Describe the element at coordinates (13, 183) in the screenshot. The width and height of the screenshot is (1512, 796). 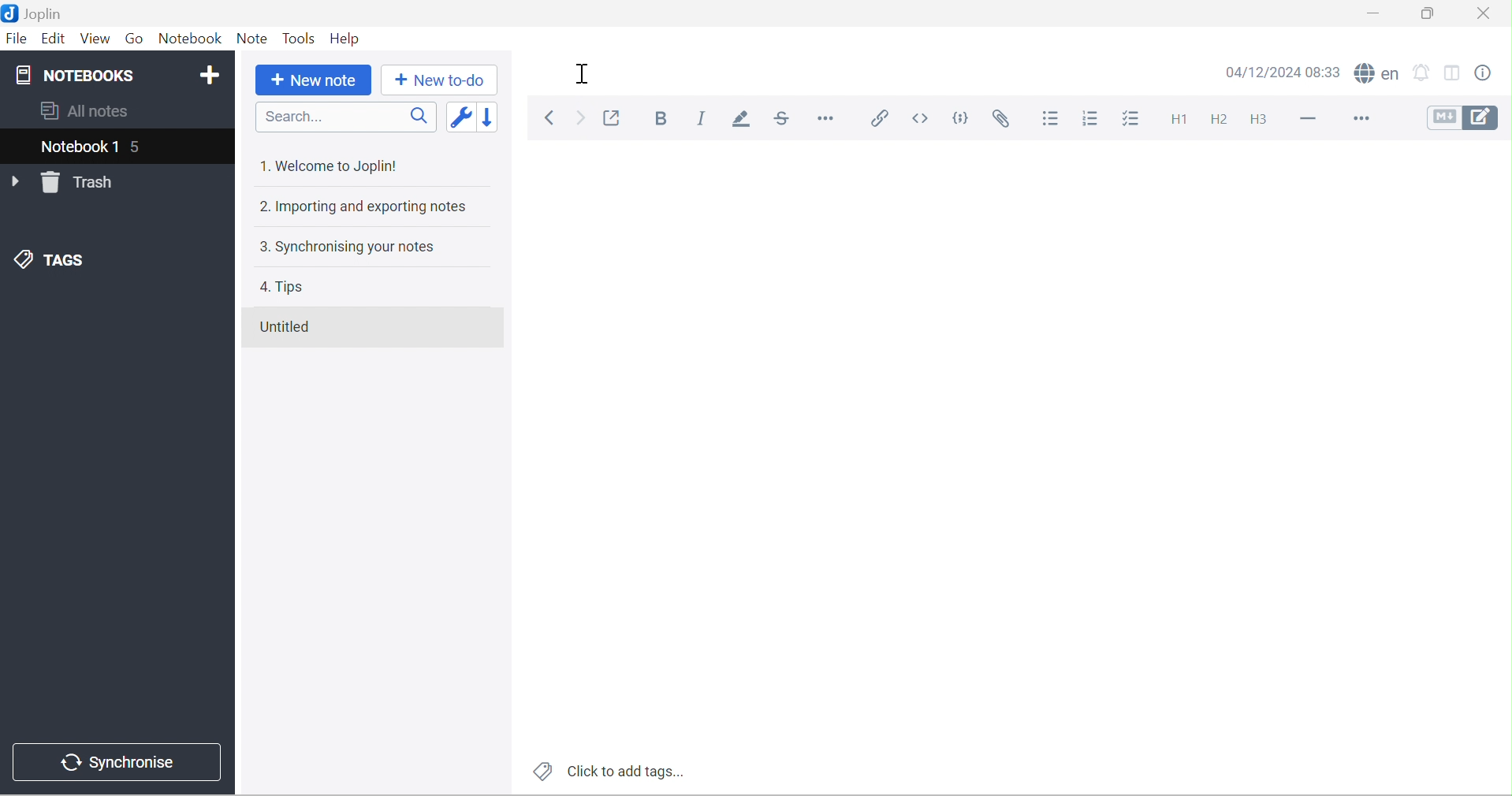
I see `Drop Down` at that location.